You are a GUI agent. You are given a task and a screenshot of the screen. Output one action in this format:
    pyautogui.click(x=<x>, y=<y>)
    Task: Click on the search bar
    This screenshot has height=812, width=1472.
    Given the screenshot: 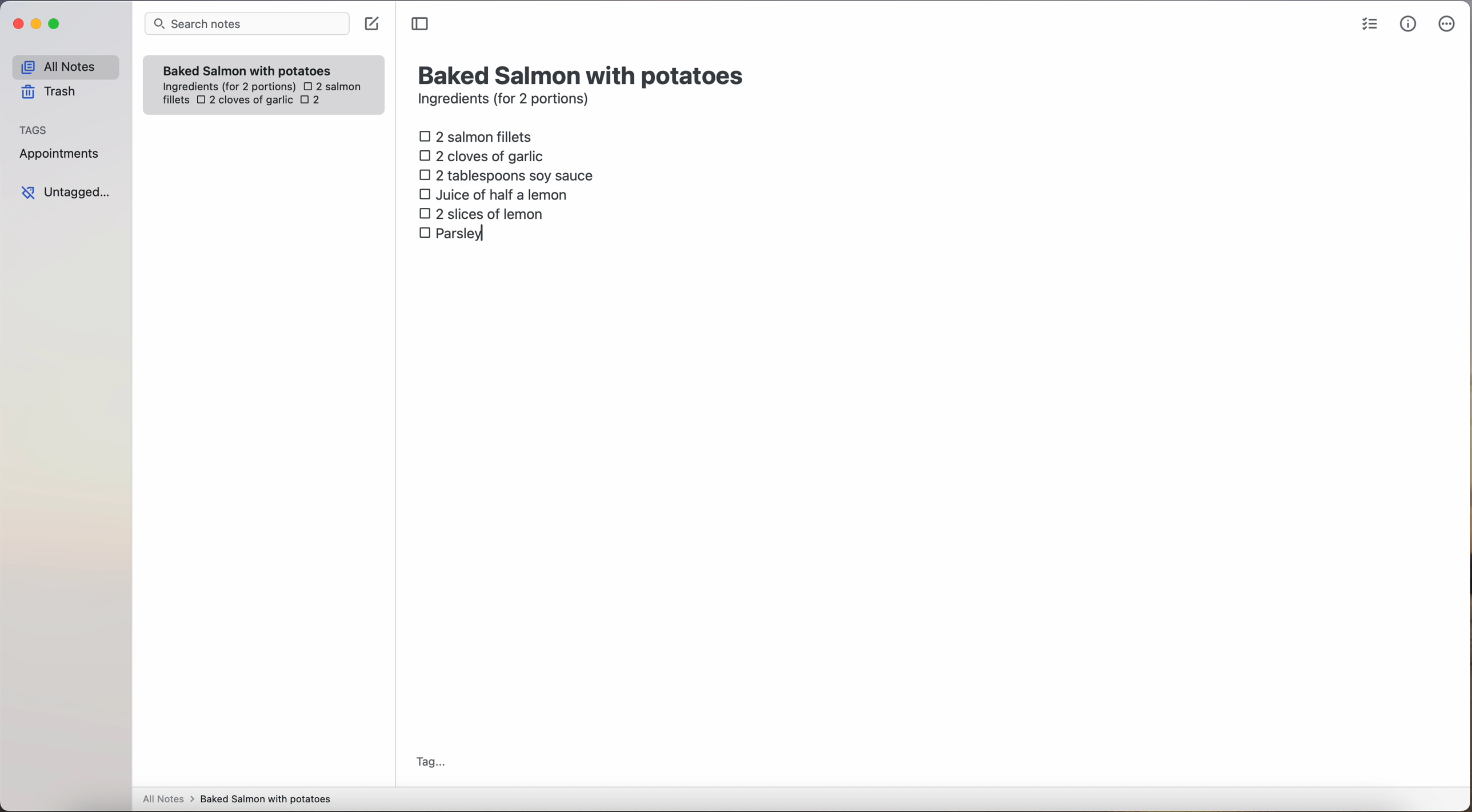 What is the action you would take?
    pyautogui.click(x=246, y=25)
    